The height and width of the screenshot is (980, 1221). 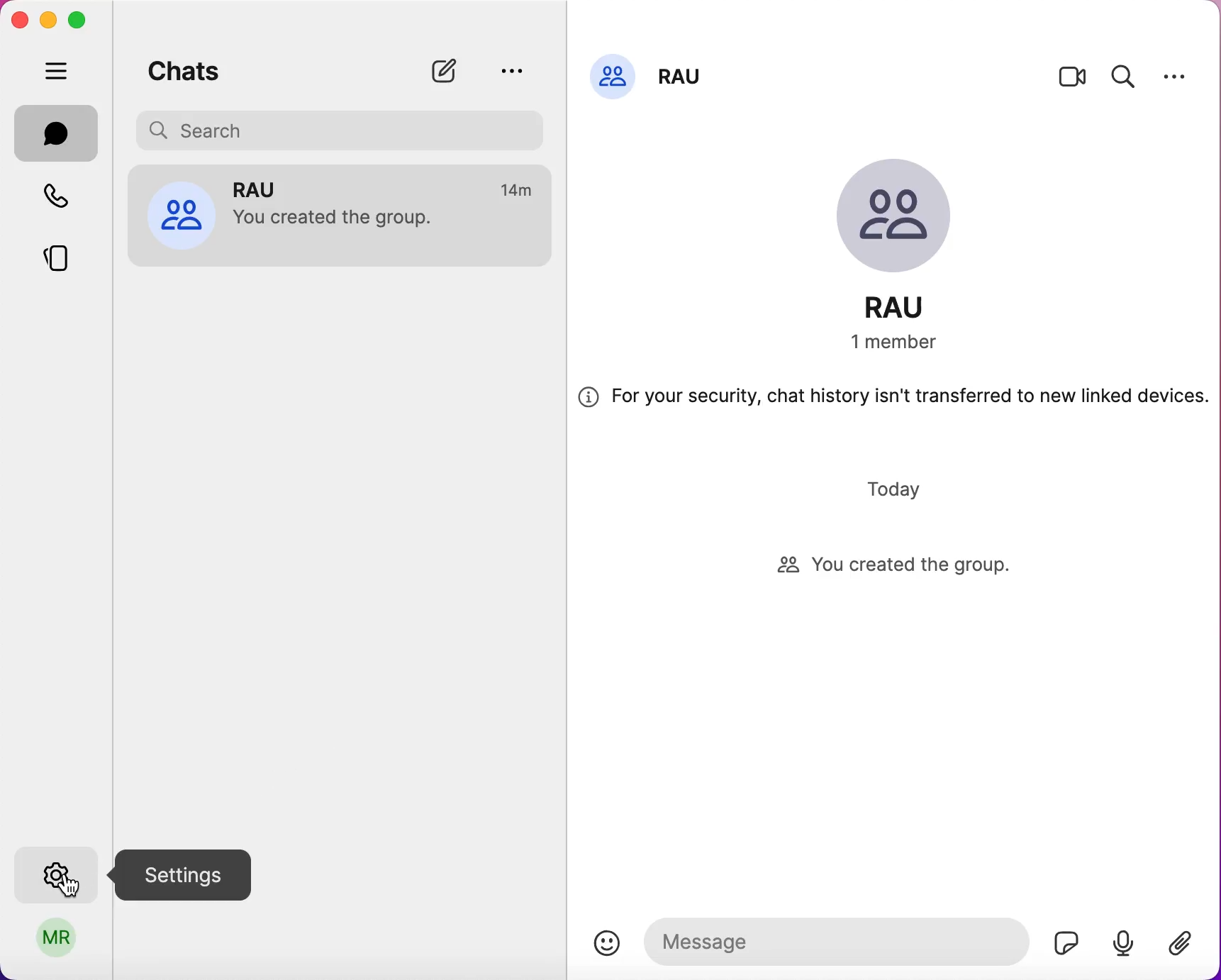 I want to click on settings, so click(x=1176, y=79).